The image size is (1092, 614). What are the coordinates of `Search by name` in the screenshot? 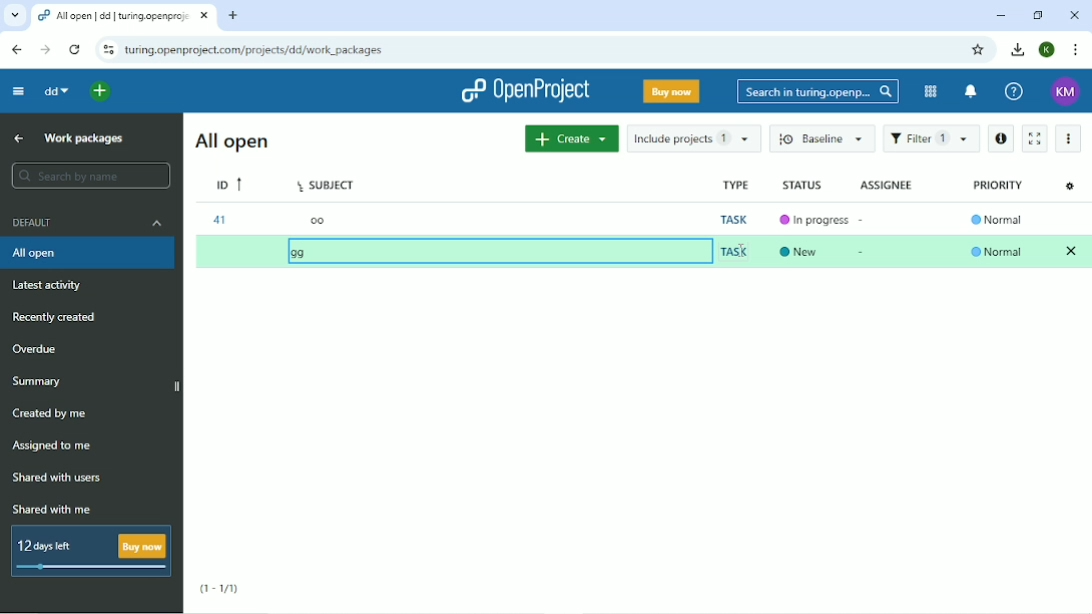 It's located at (90, 175).